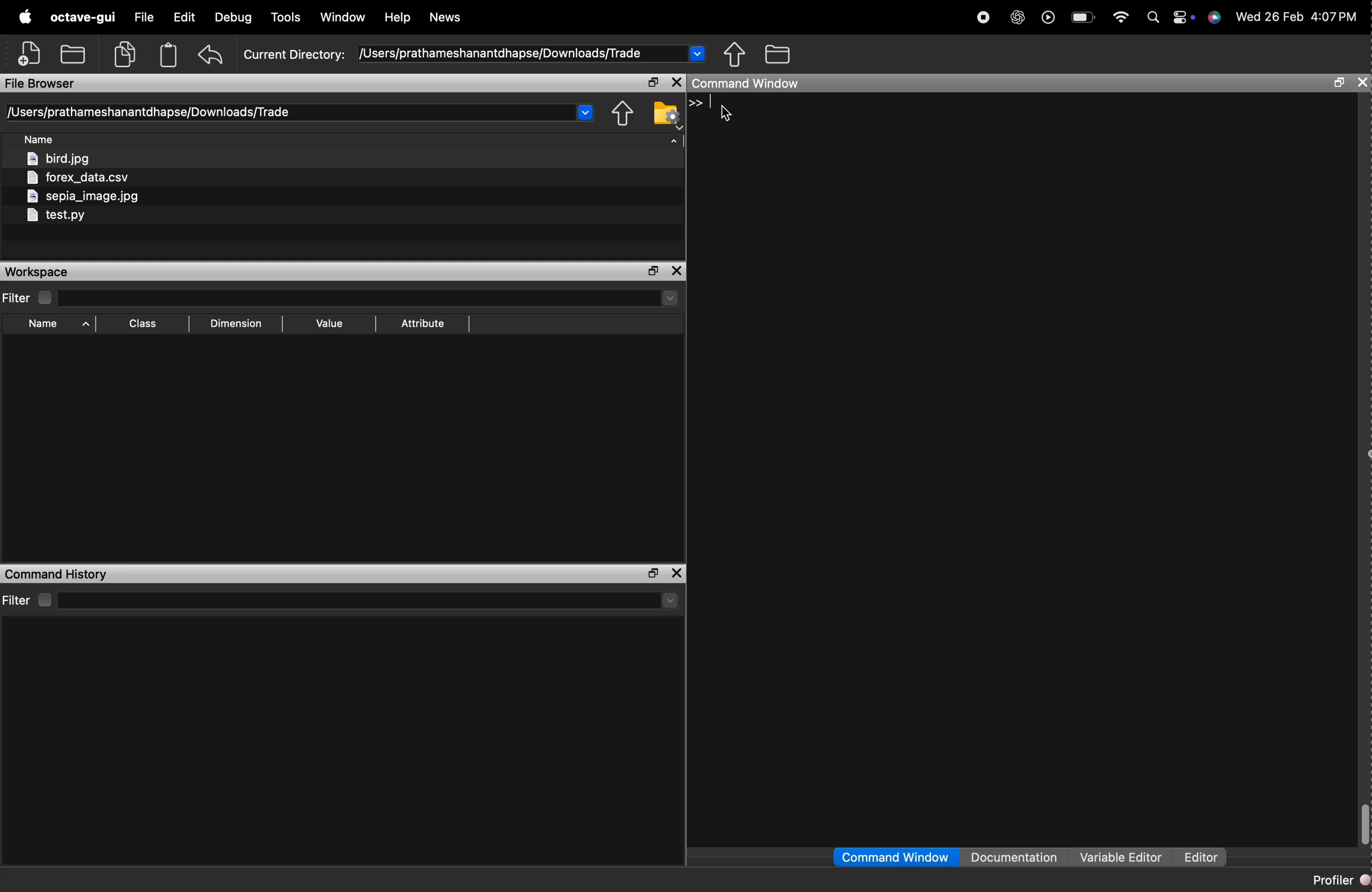  Describe the element at coordinates (1123, 856) in the screenshot. I see `Variable editor` at that location.